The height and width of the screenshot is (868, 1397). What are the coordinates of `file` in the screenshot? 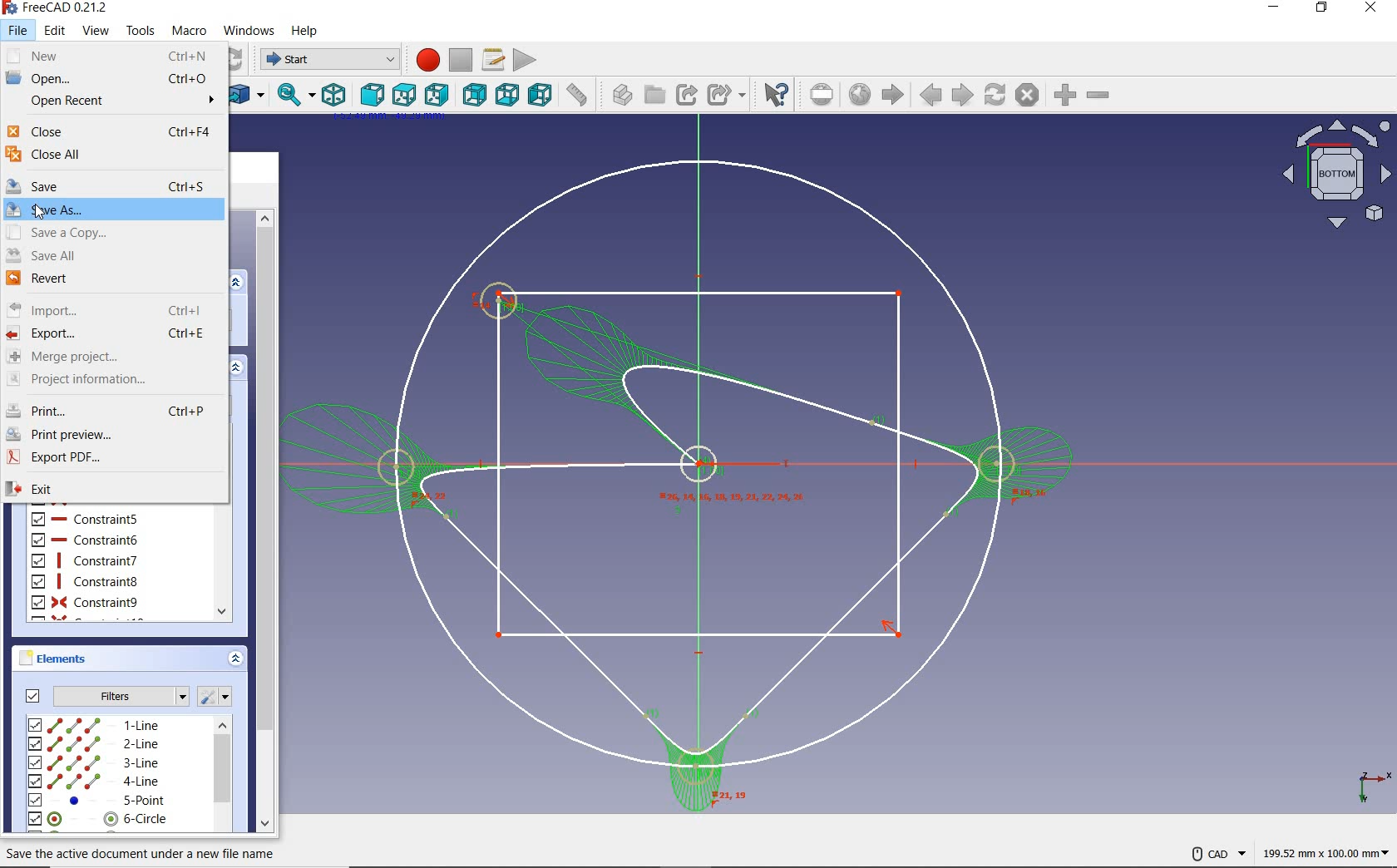 It's located at (18, 30).